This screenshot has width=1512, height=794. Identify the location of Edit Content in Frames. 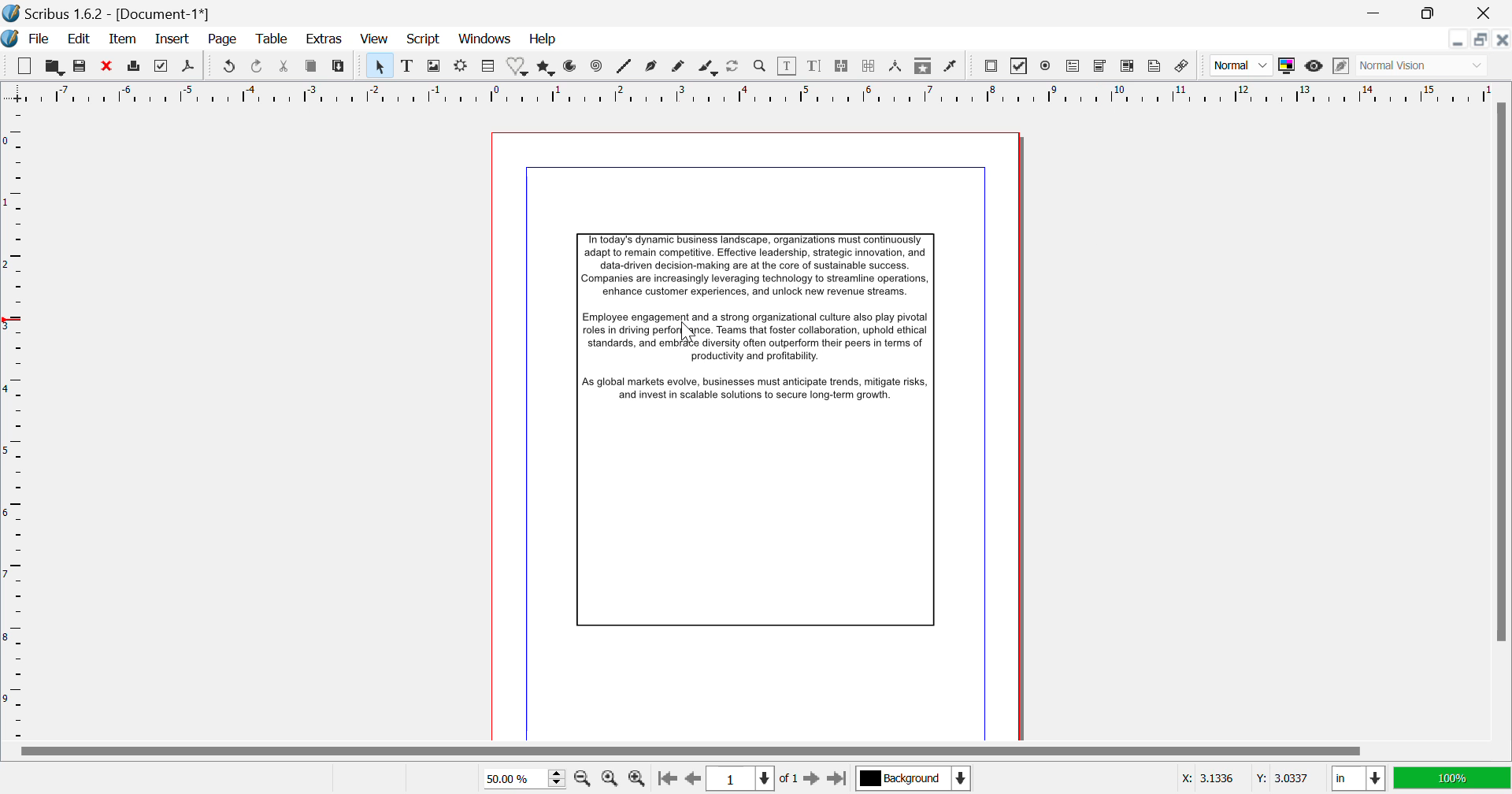
(787, 66).